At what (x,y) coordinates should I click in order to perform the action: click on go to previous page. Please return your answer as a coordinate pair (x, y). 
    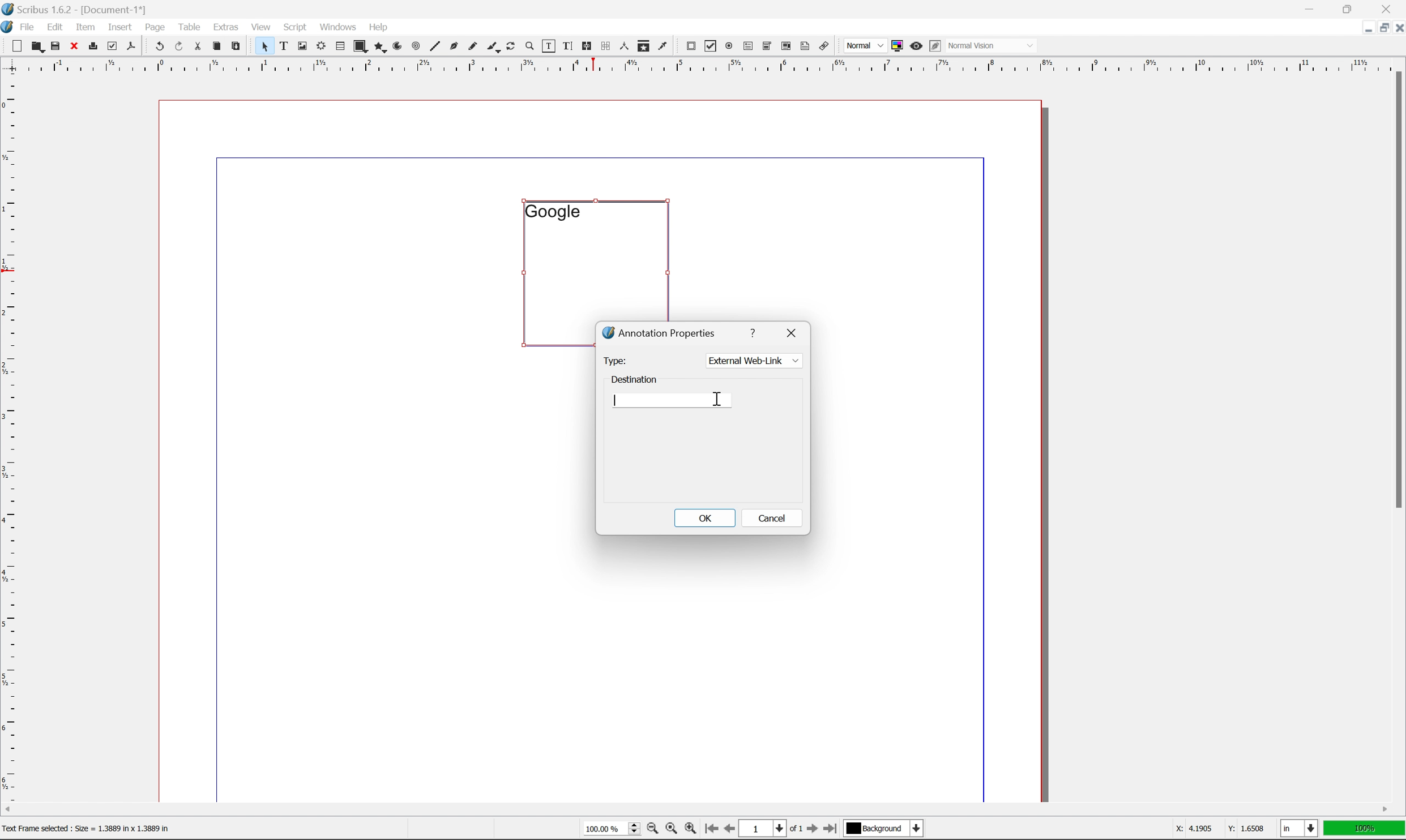
    Looking at the image, I should click on (730, 830).